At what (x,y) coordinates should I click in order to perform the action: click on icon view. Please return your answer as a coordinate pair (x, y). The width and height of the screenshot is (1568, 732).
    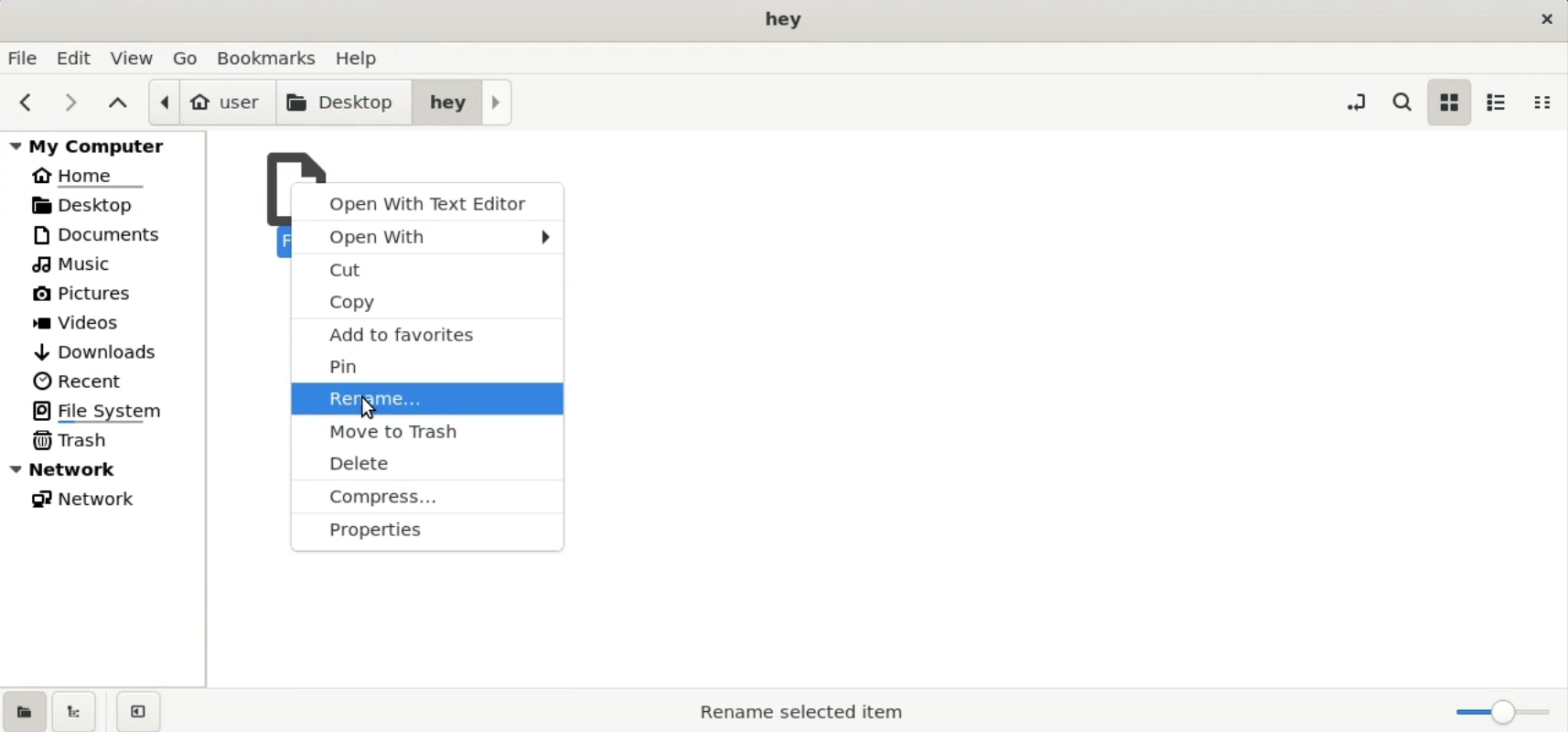
    Looking at the image, I should click on (1448, 102).